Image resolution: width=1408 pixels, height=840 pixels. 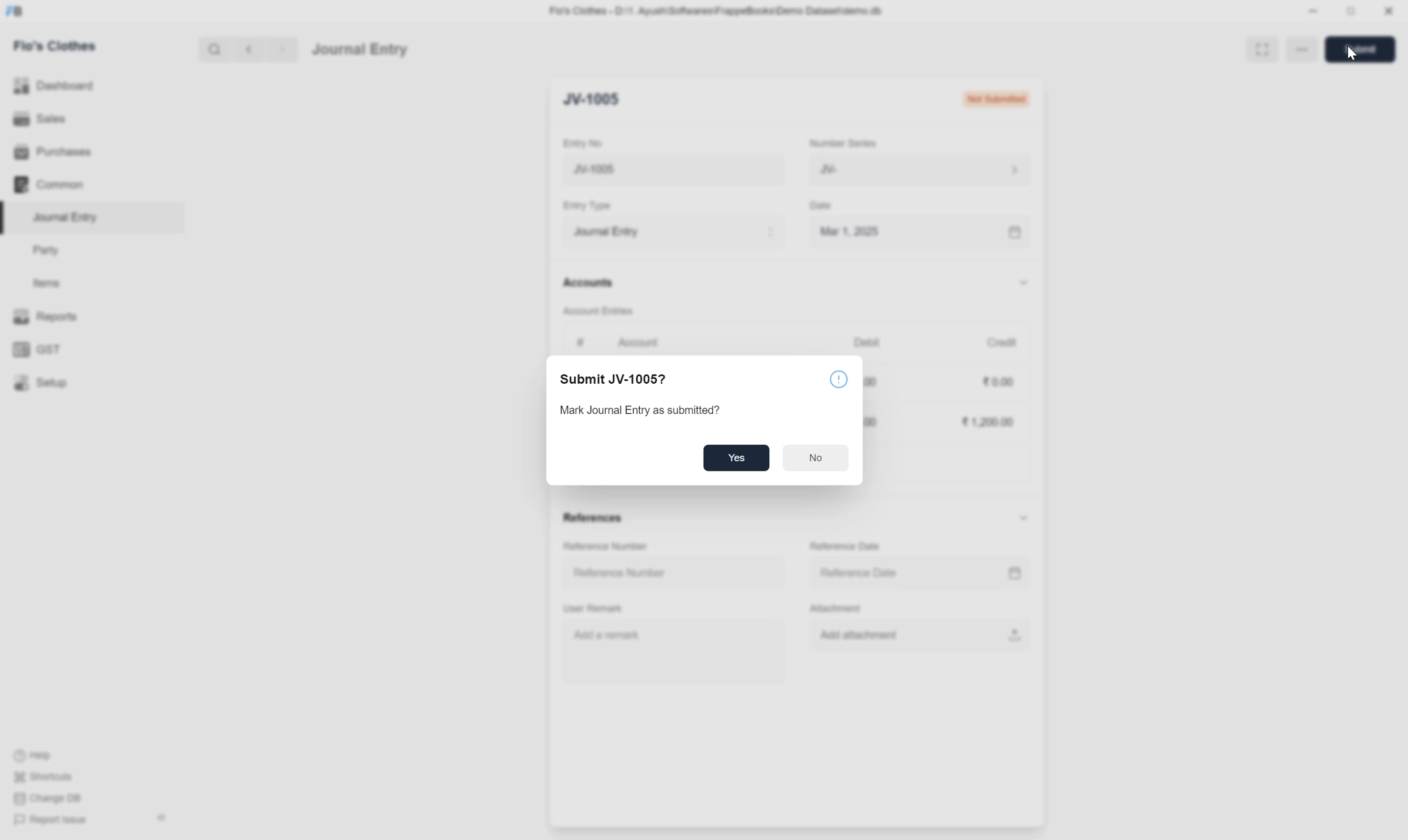 I want to click on calendar, so click(x=1016, y=233).